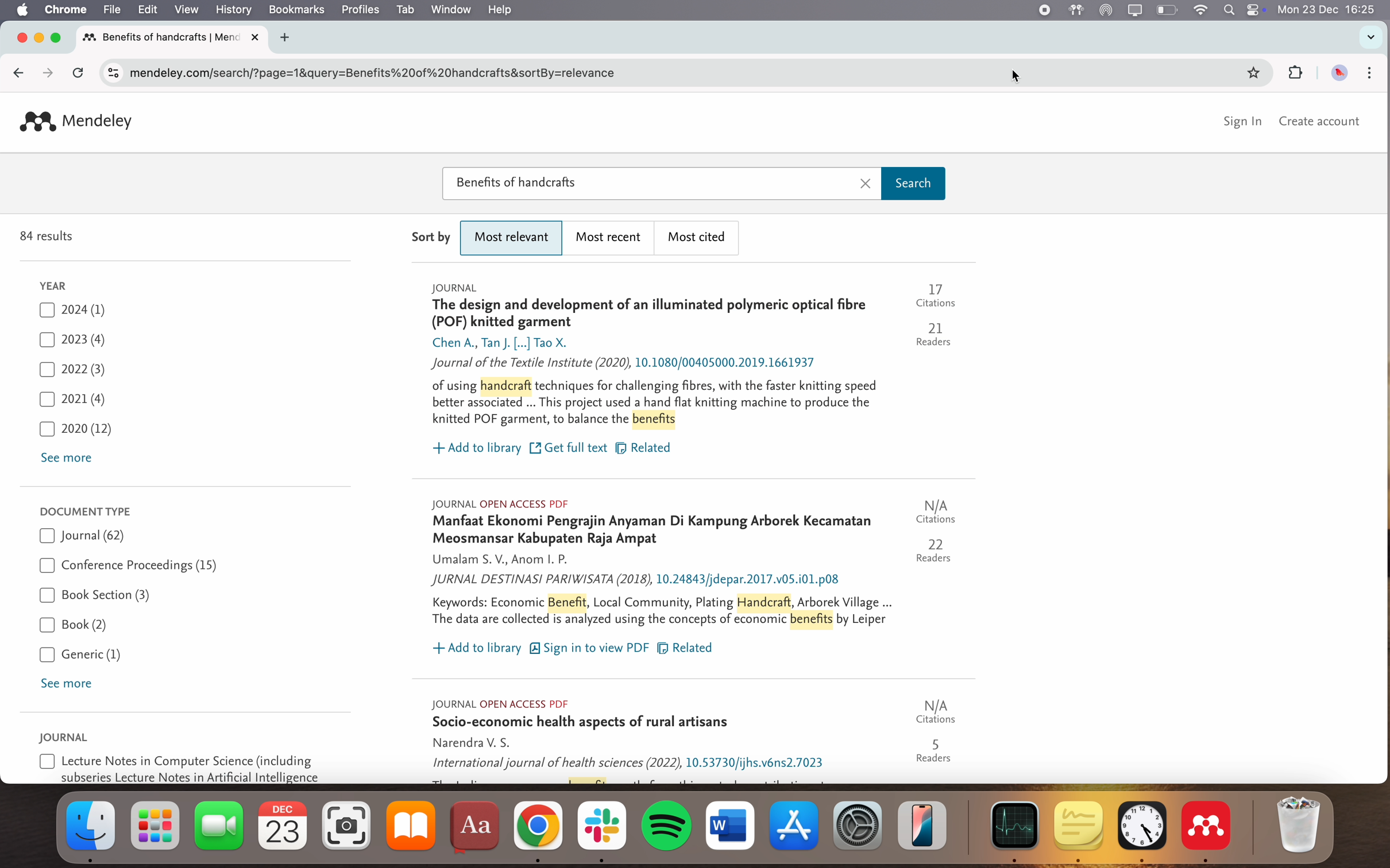 Image resolution: width=1390 pixels, height=868 pixels. I want to click on 2020, so click(76, 431).